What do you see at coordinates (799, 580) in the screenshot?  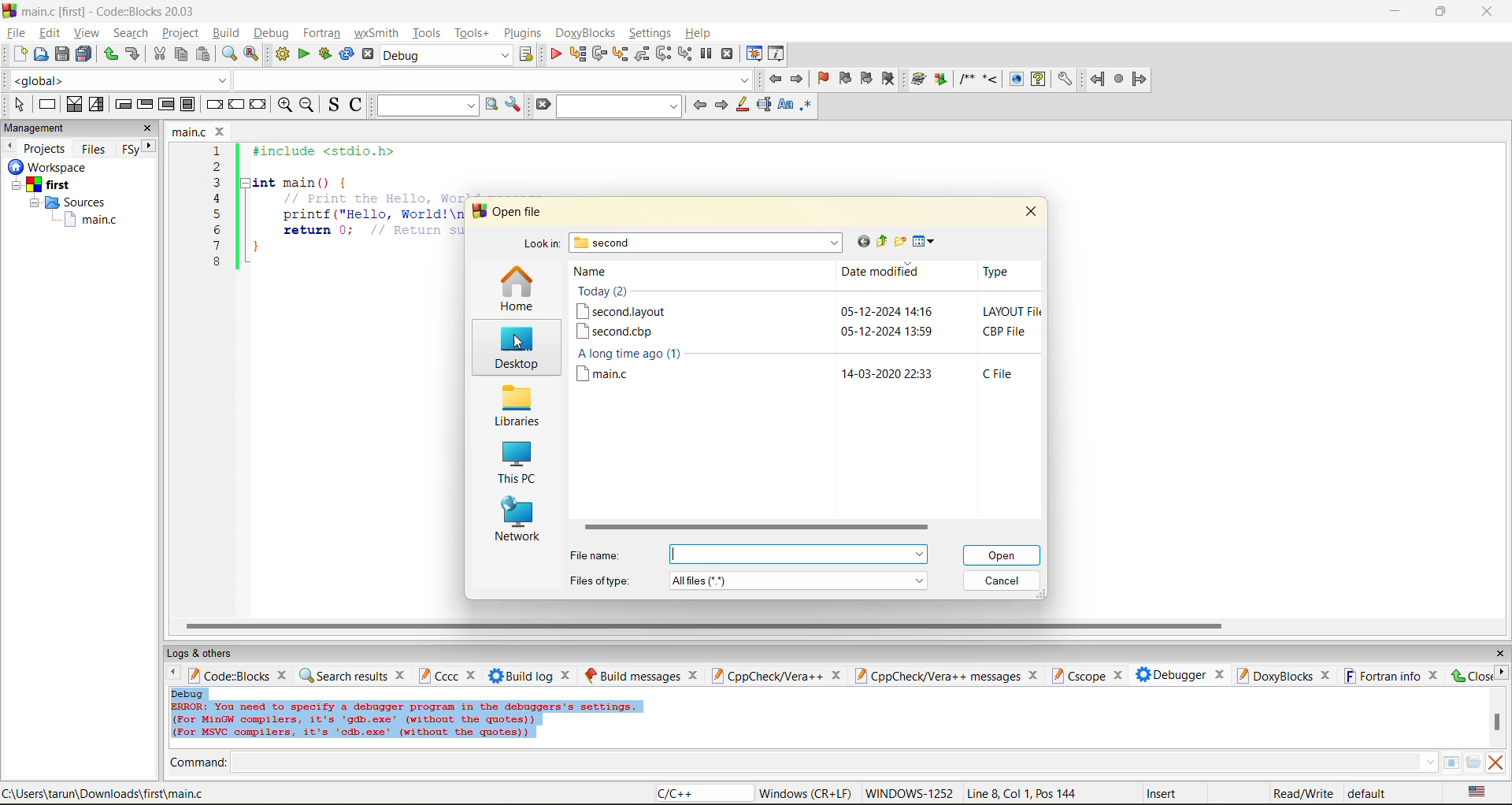 I see `file type menu` at bounding box center [799, 580].